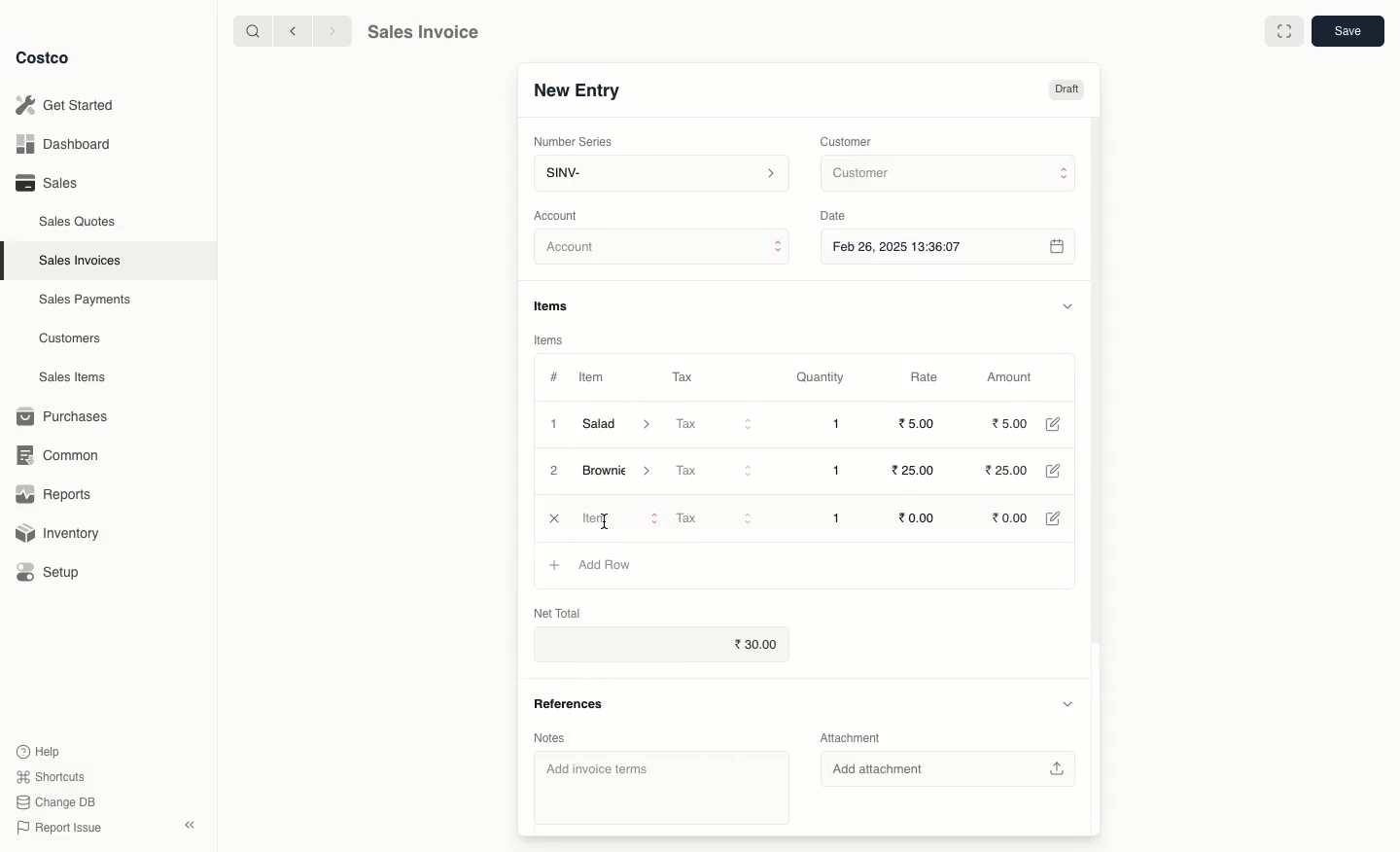 The height and width of the screenshot is (852, 1400). Describe the element at coordinates (621, 473) in the screenshot. I see `Brownie` at that location.